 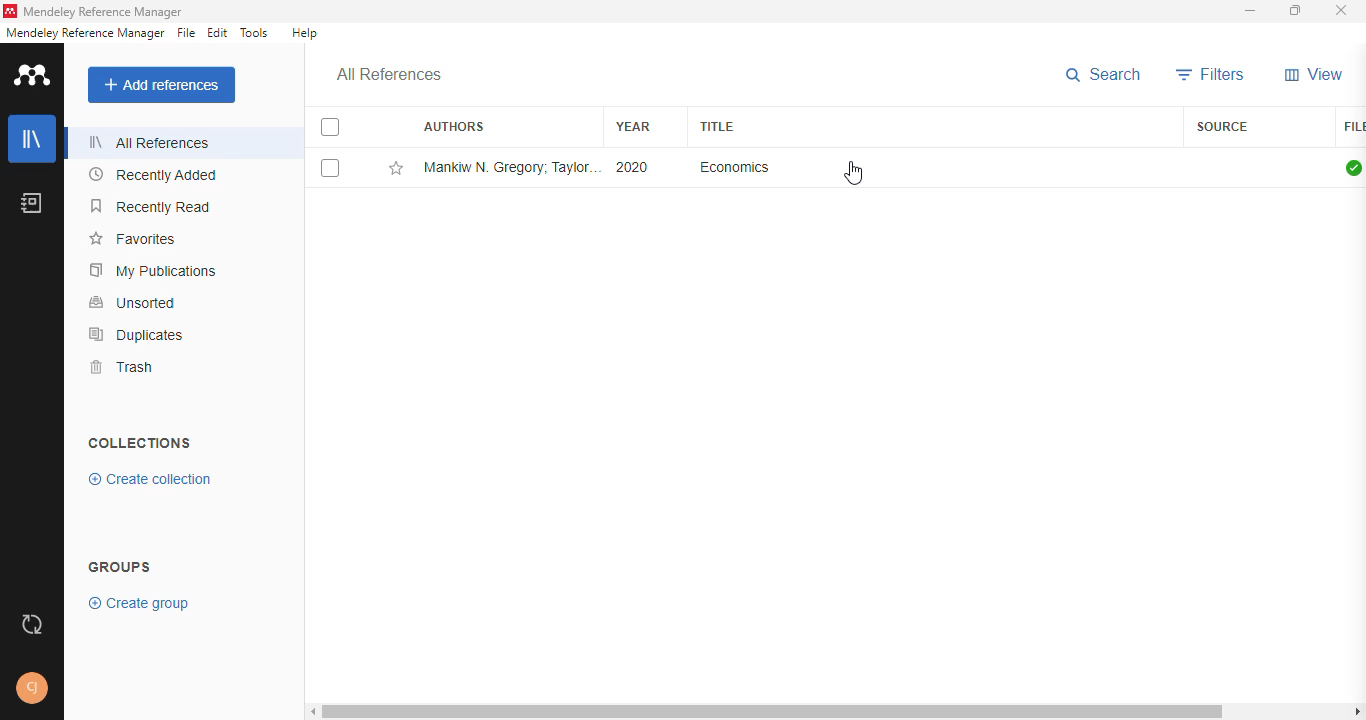 I want to click on view, so click(x=1315, y=76).